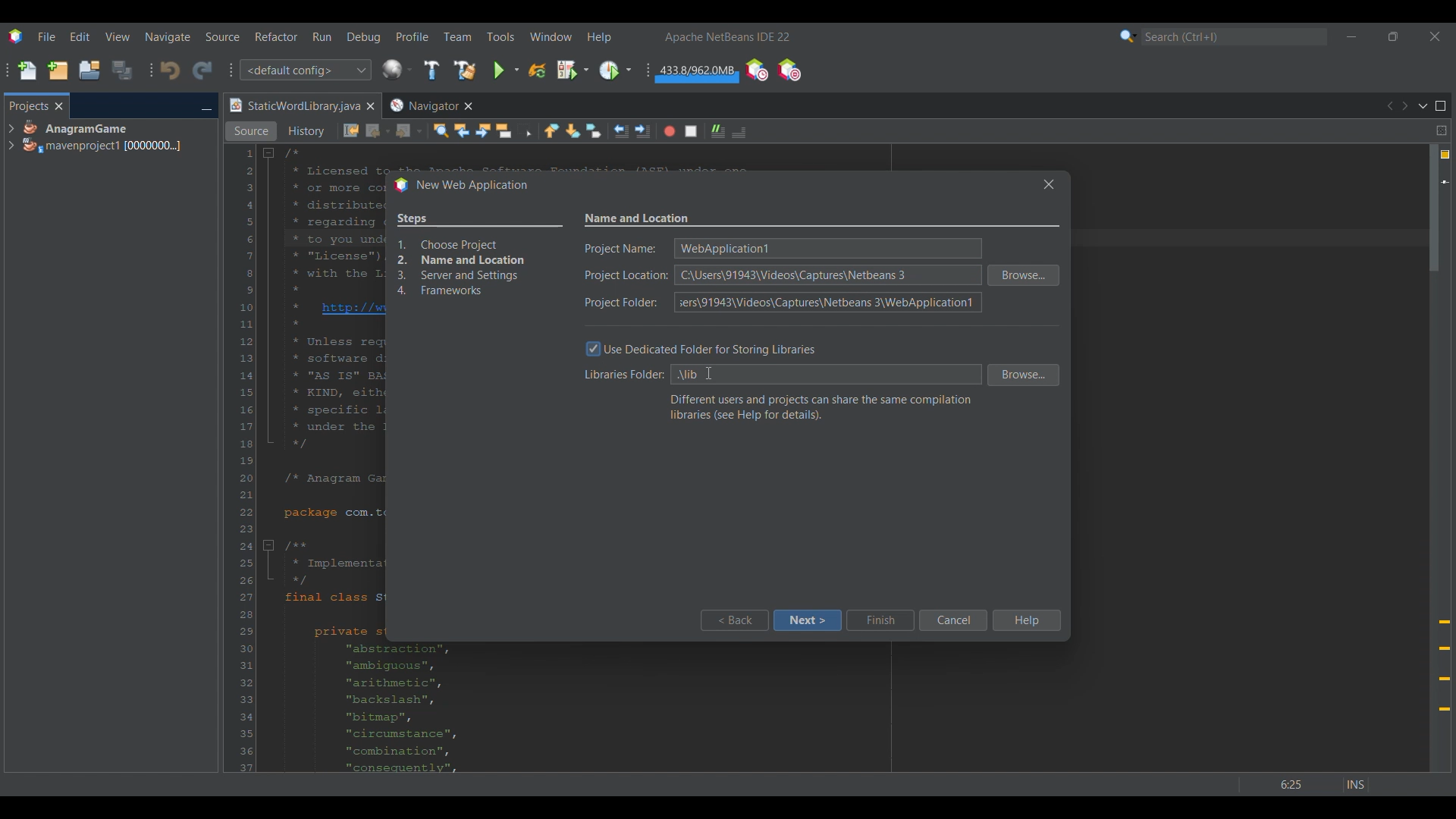  I want to click on Toggle on, so click(594, 350).